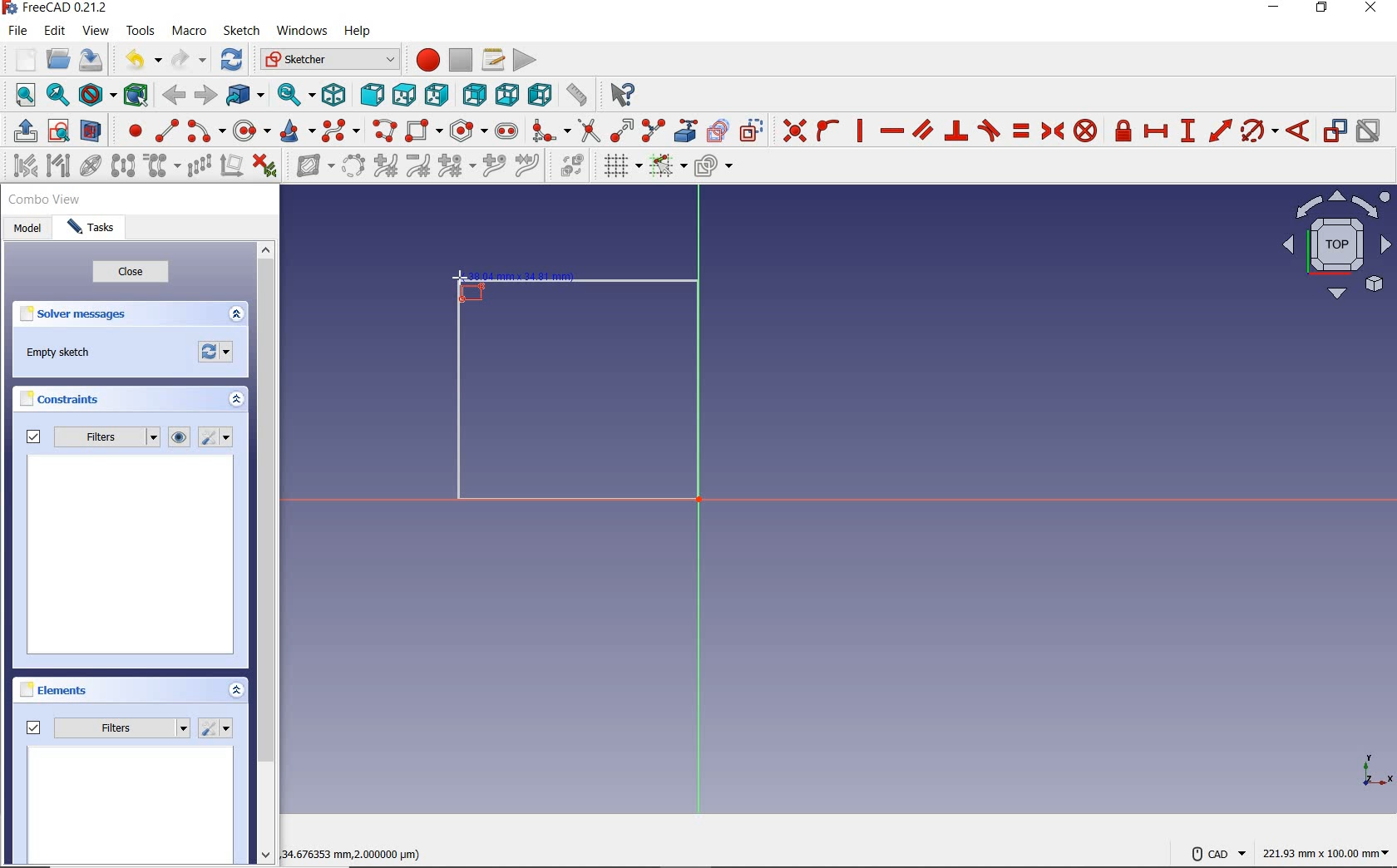  What do you see at coordinates (252, 131) in the screenshot?
I see `create circle` at bounding box center [252, 131].